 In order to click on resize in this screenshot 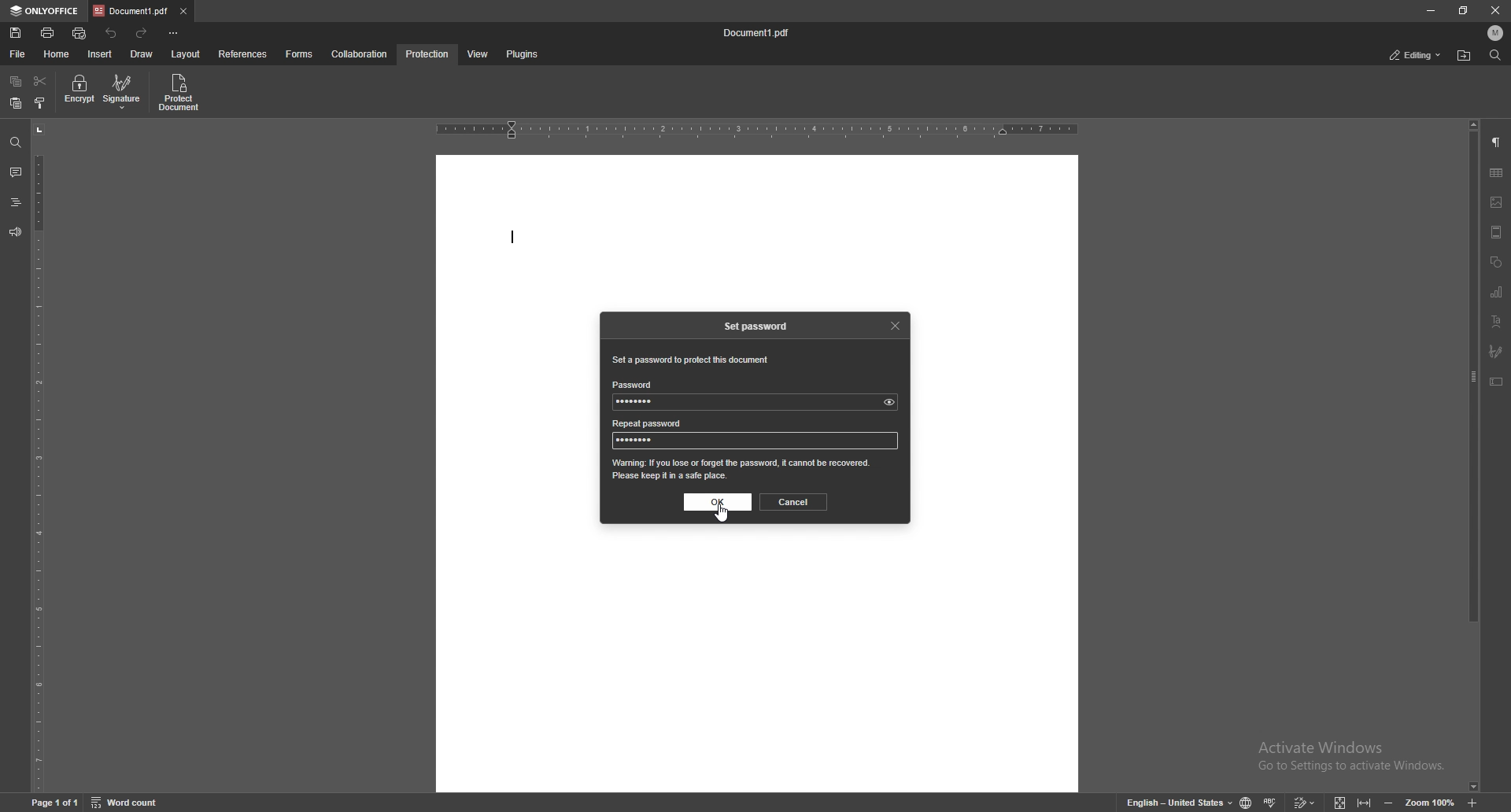, I will do `click(1465, 11)`.